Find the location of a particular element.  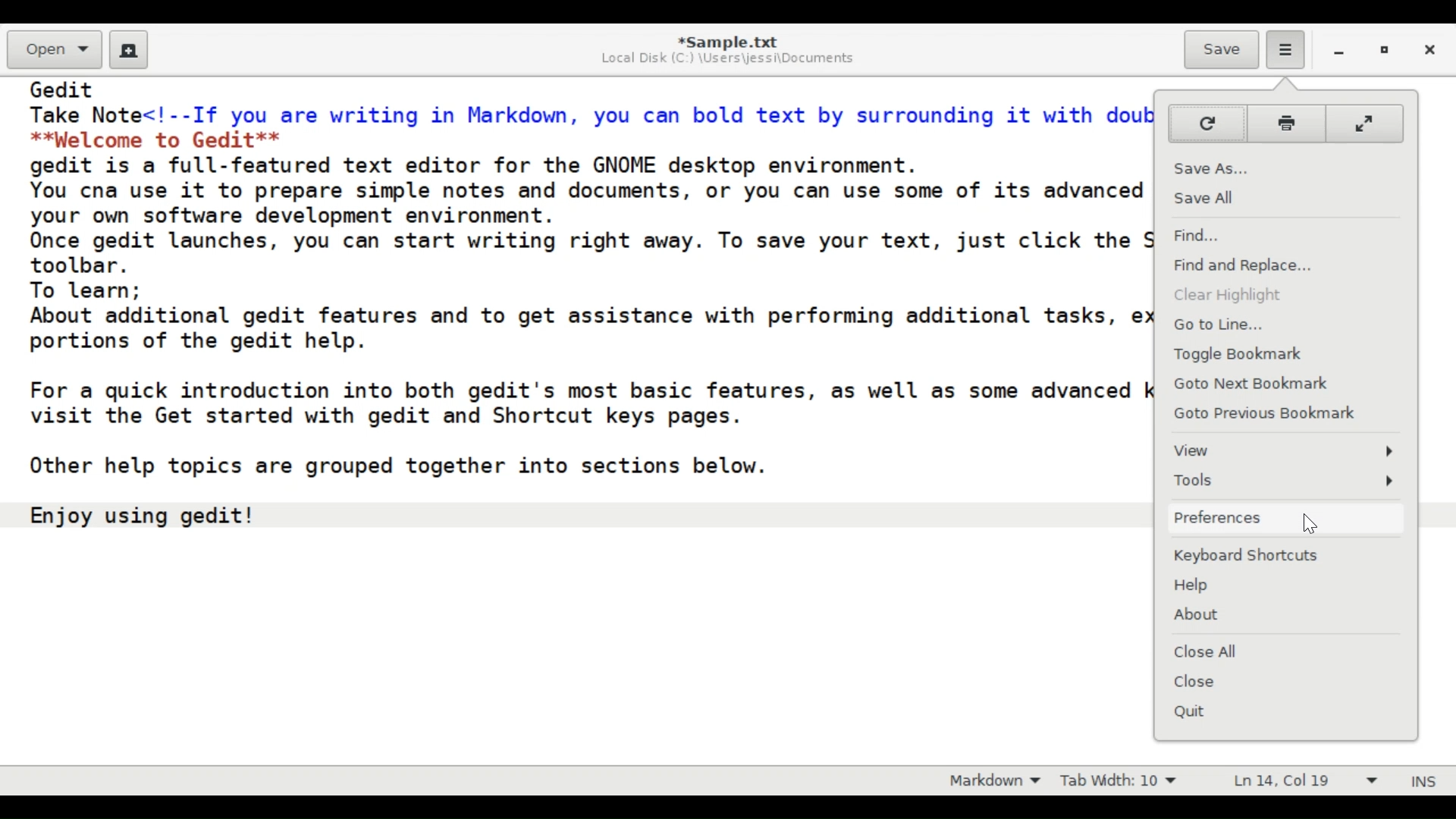

Line & Column Preference (Ln 14, Col 19)) is located at coordinates (1307, 781).